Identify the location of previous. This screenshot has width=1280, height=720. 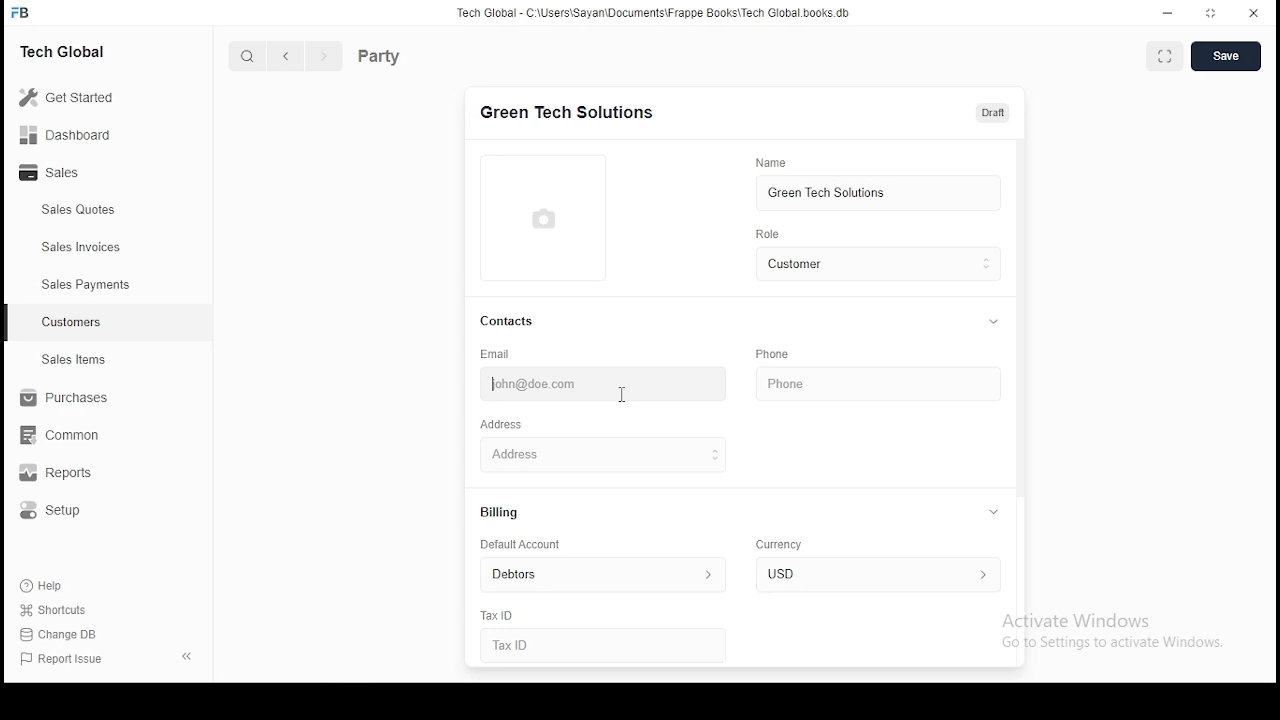
(286, 56).